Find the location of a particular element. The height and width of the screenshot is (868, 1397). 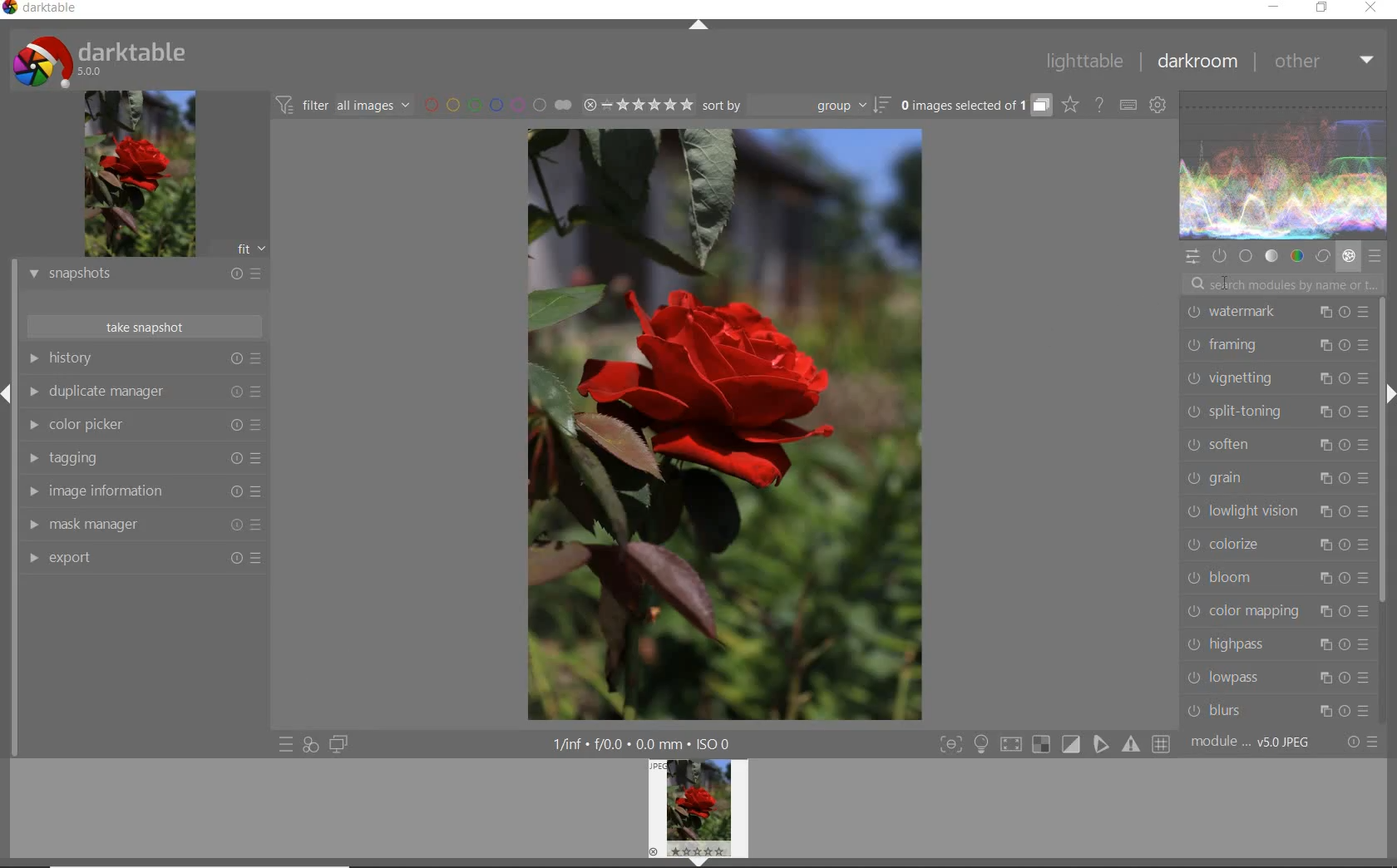

export is located at coordinates (144, 560).